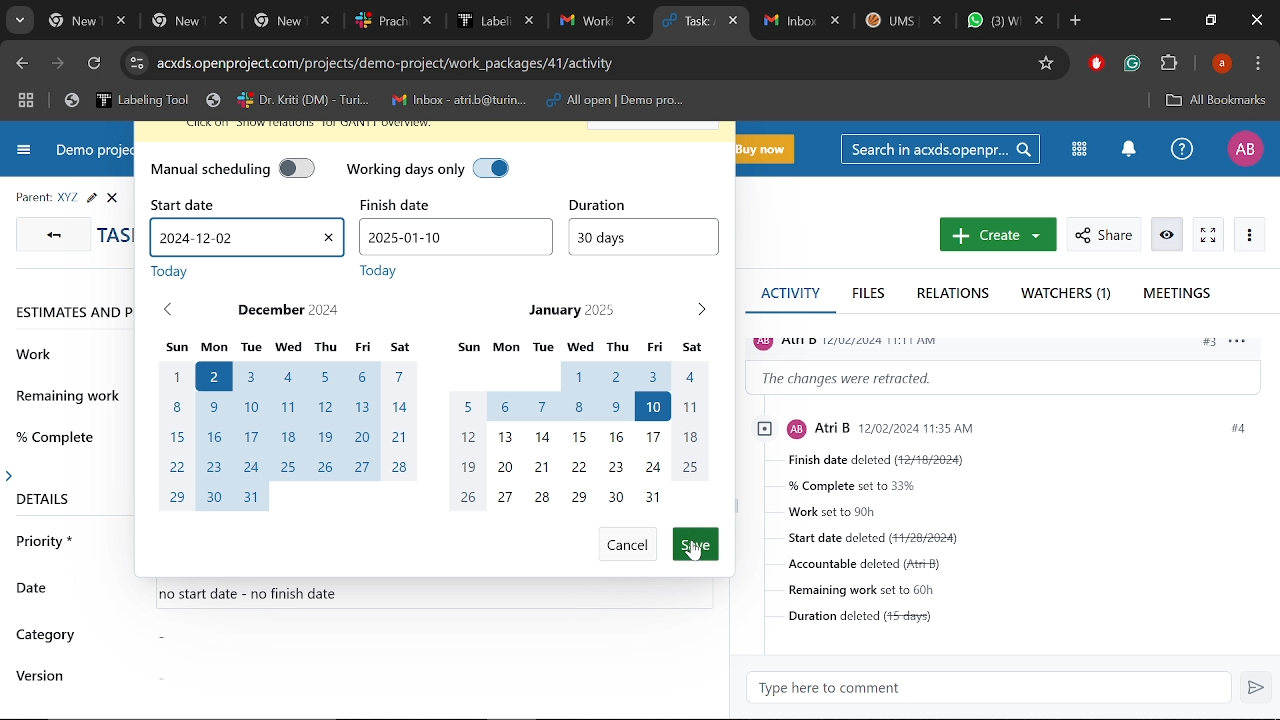  I want to click on Other tabs, so click(905, 23).